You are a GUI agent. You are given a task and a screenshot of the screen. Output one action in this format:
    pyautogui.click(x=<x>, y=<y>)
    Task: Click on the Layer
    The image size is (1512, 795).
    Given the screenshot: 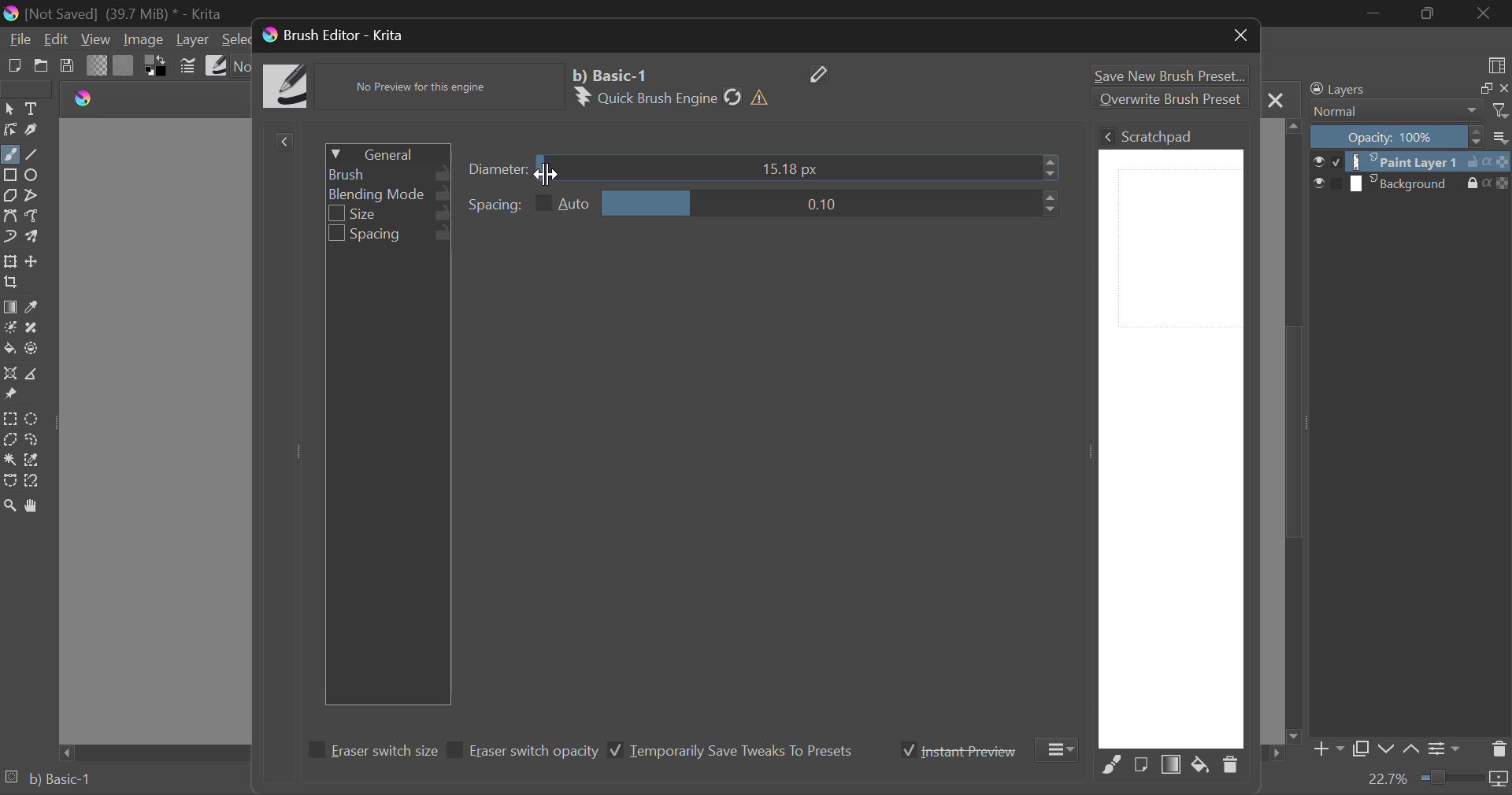 What is the action you would take?
    pyautogui.click(x=193, y=41)
    